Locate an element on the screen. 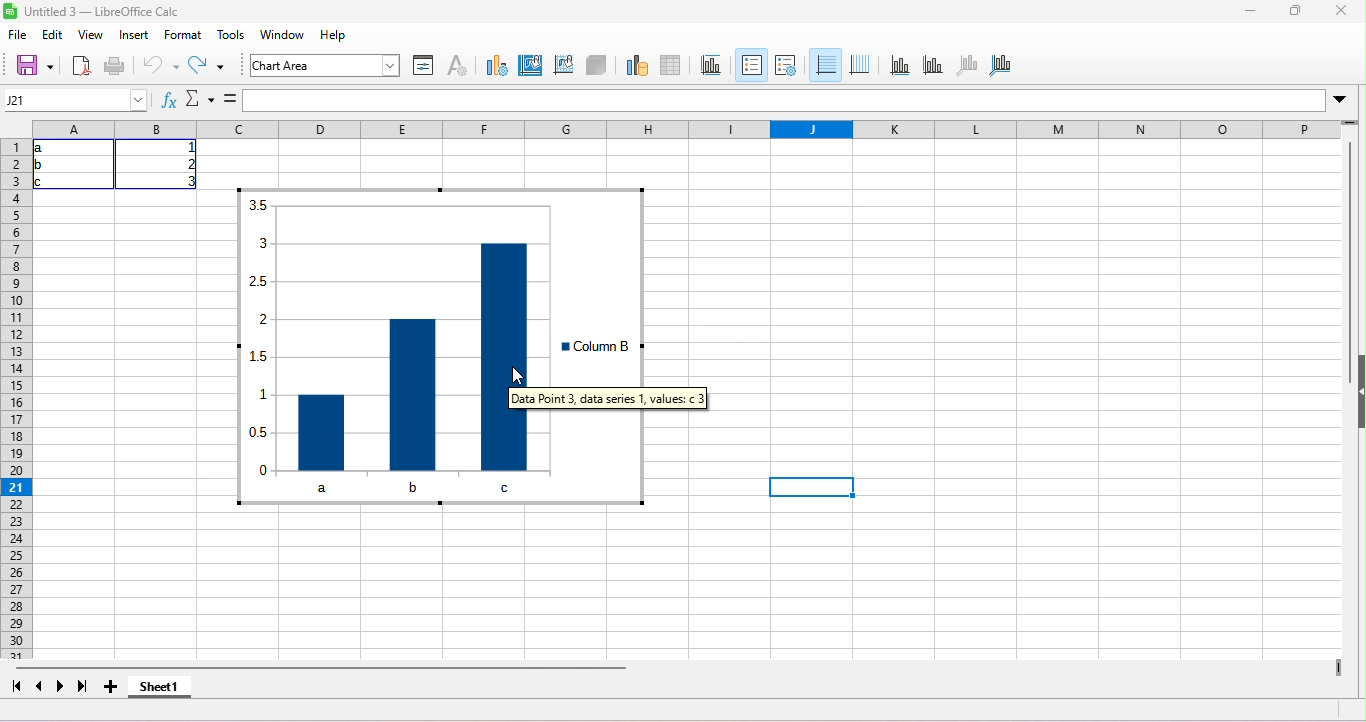 The width and height of the screenshot is (1366, 722). a is located at coordinates (333, 488).